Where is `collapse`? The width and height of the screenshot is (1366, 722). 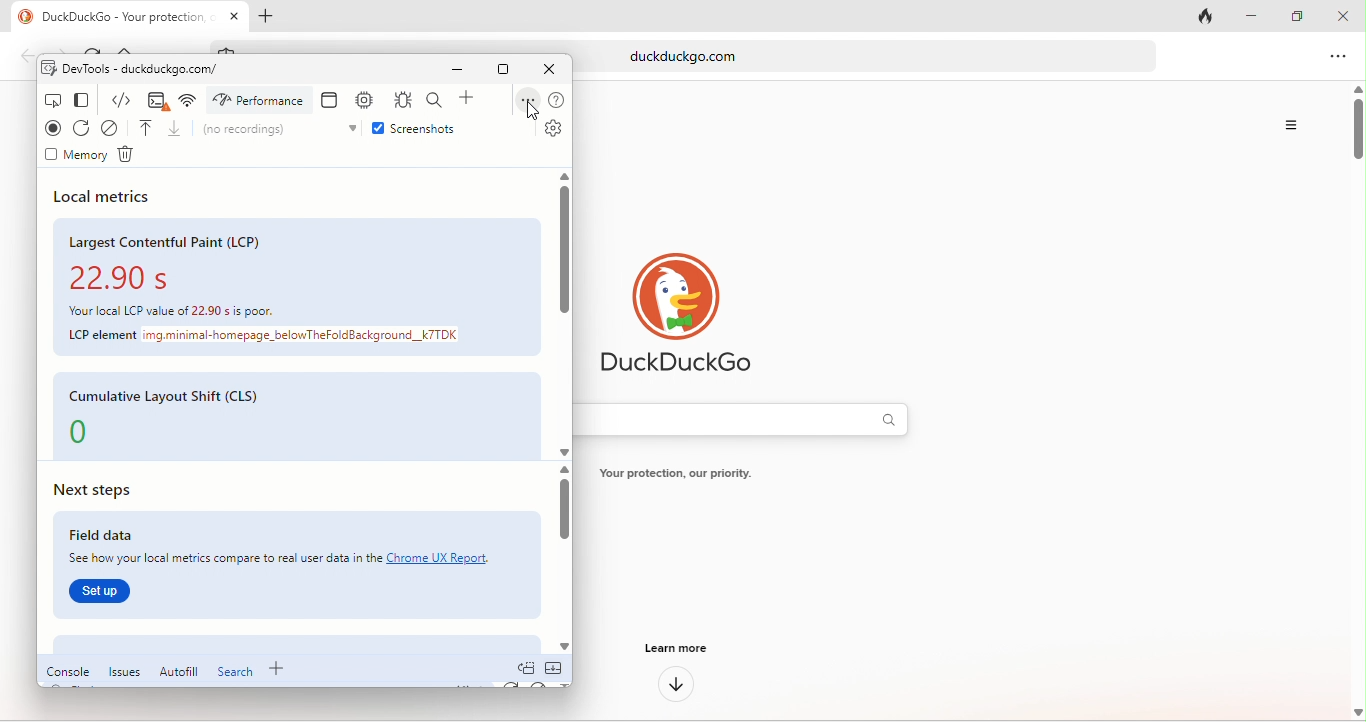 collapse is located at coordinates (556, 665).